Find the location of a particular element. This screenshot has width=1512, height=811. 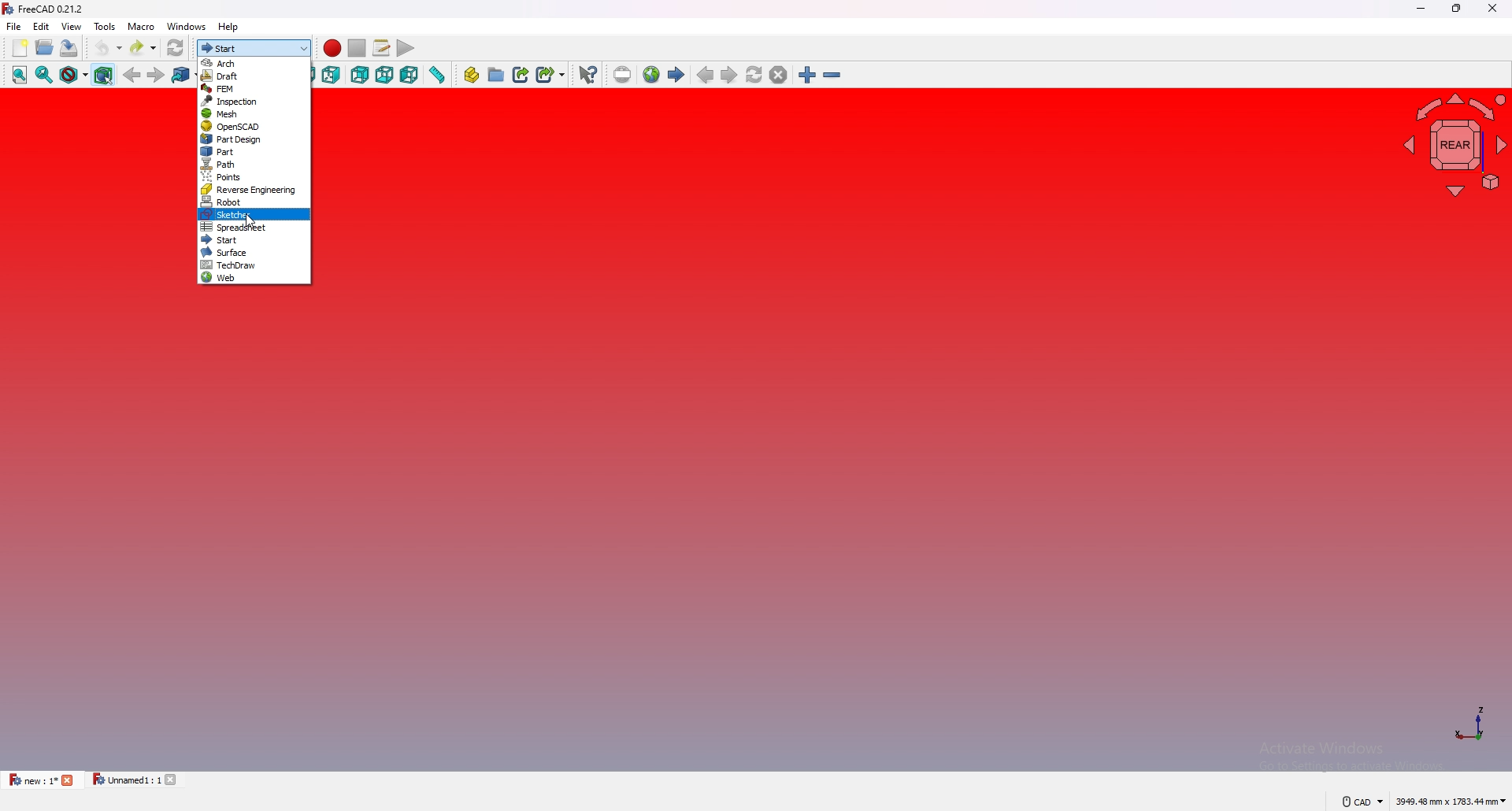

create group is located at coordinates (497, 73).